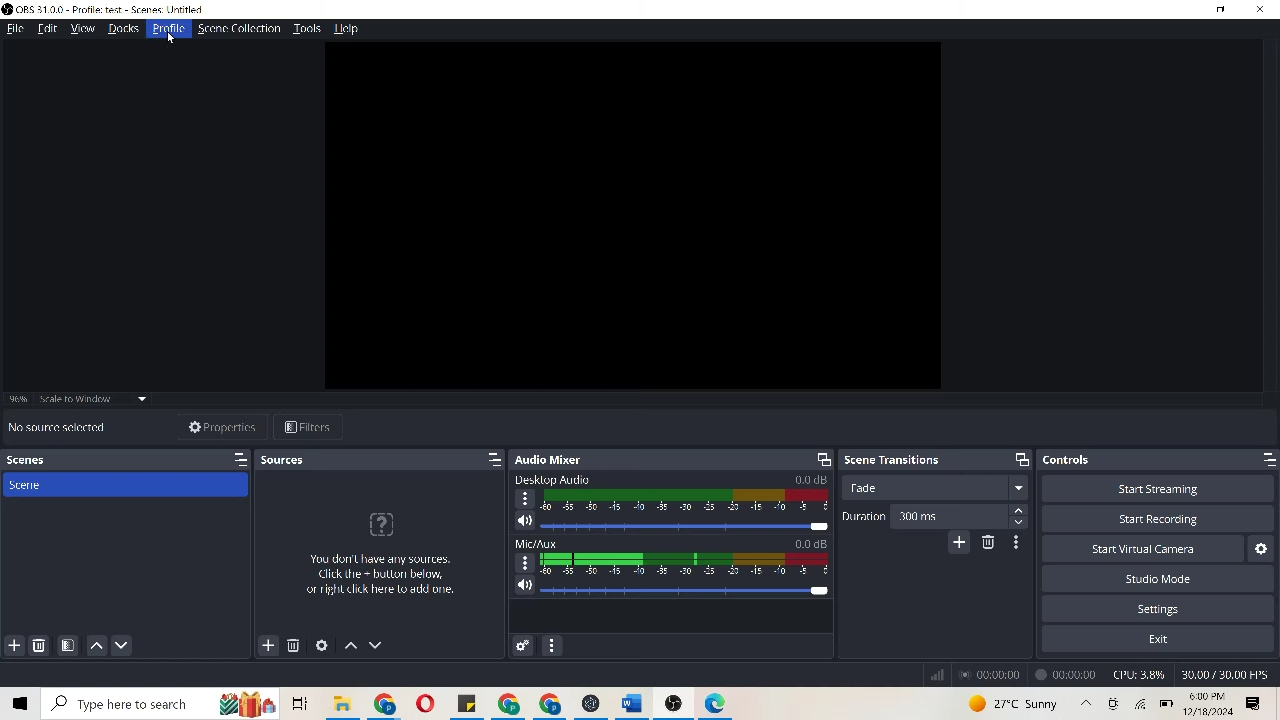 This screenshot has height=720, width=1280. Describe the element at coordinates (520, 645) in the screenshot. I see `advanced audio properties` at that location.